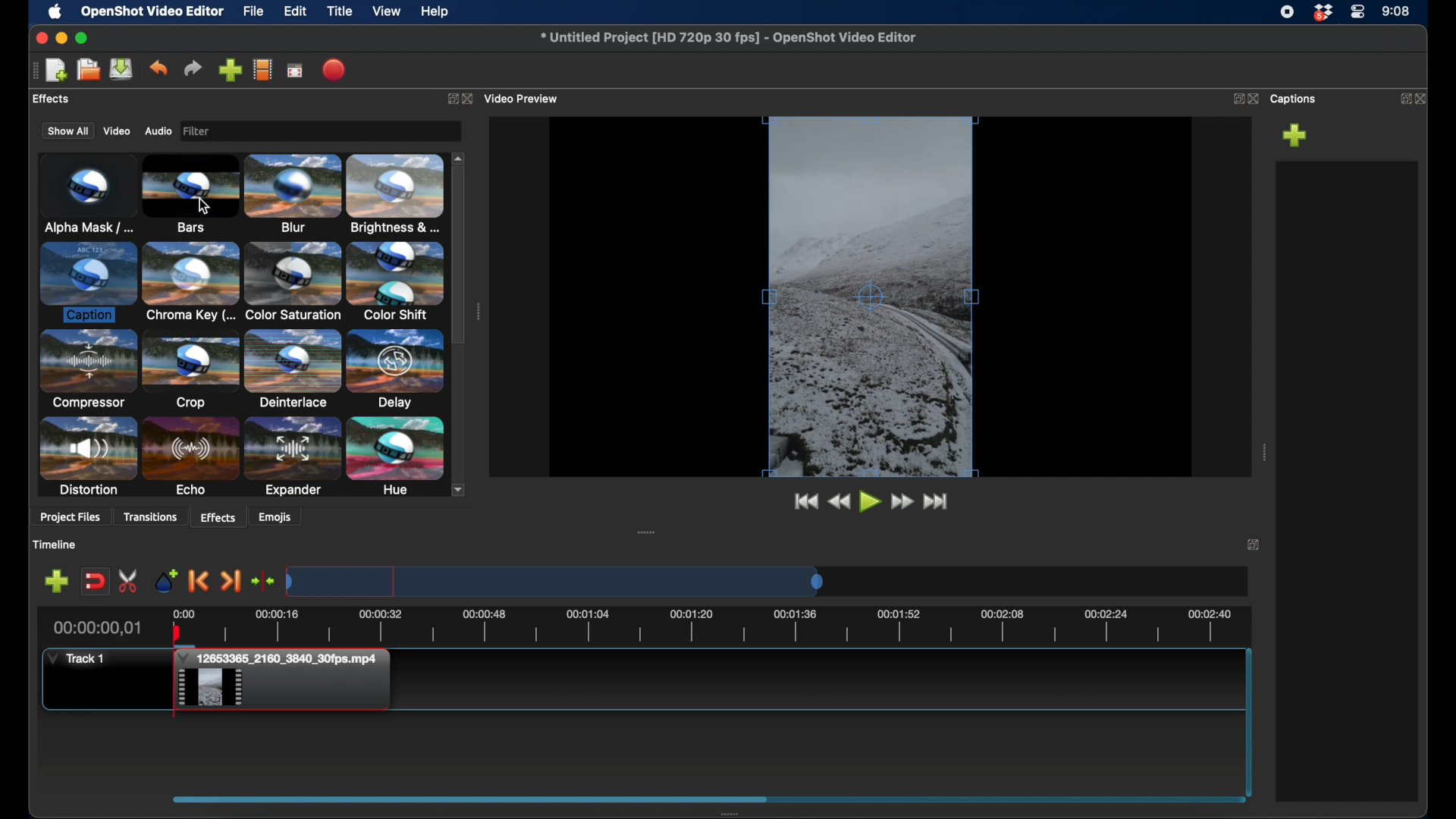 The width and height of the screenshot is (1456, 819). I want to click on video preview, so click(869, 298).